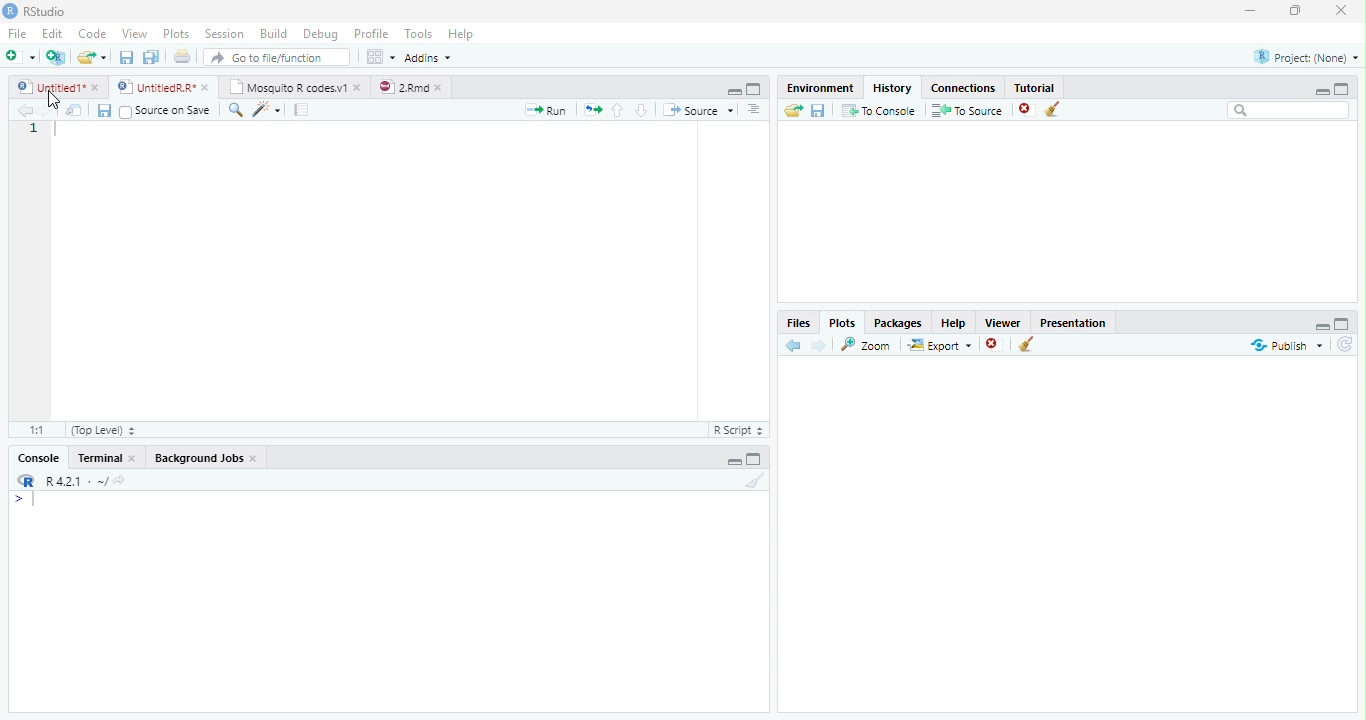 The width and height of the screenshot is (1366, 720). Describe the element at coordinates (109, 457) in the screenshot. I see `Terminal` at that location.